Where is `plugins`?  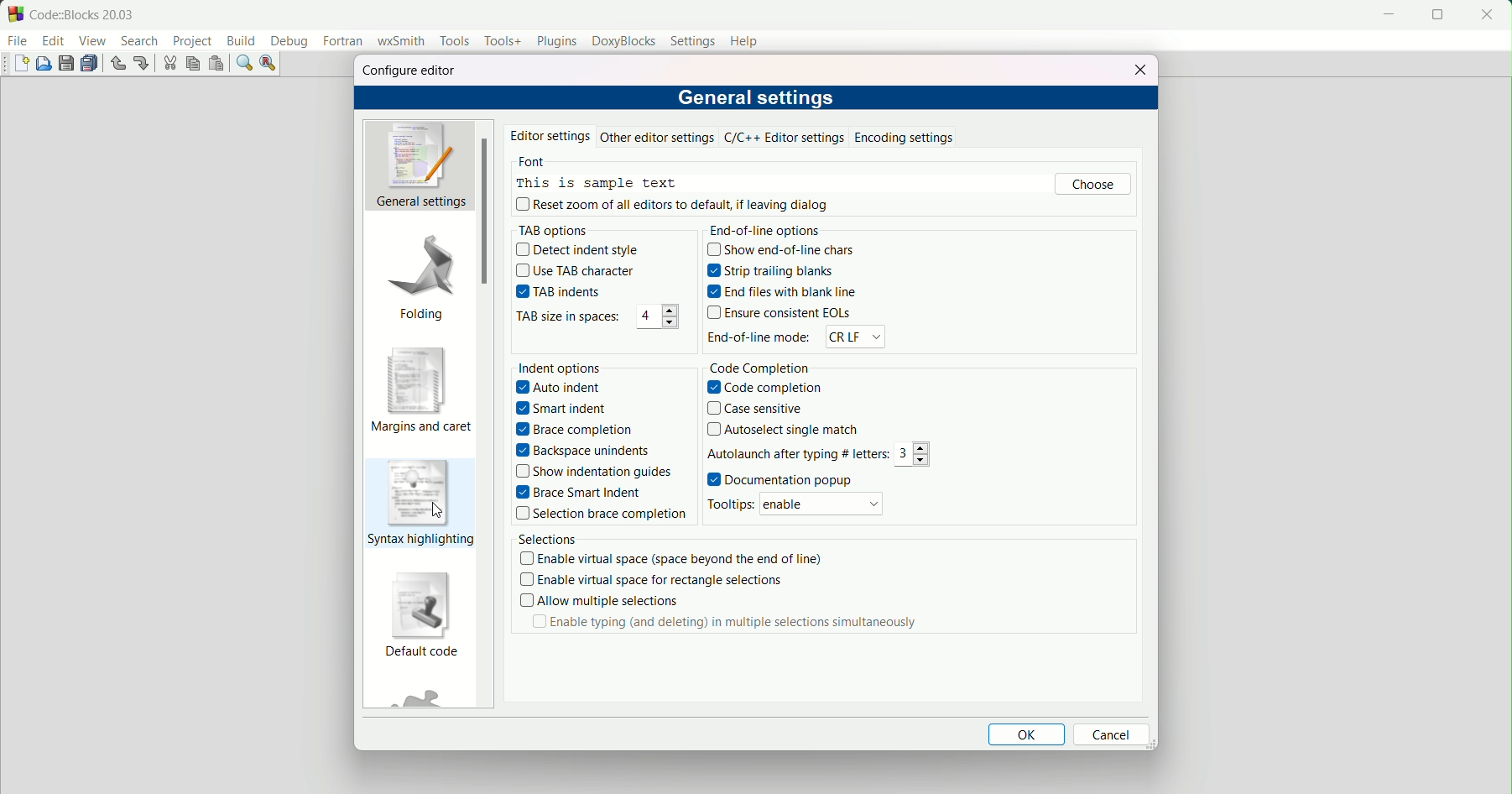
plugins is located at coordinates (553, 40).